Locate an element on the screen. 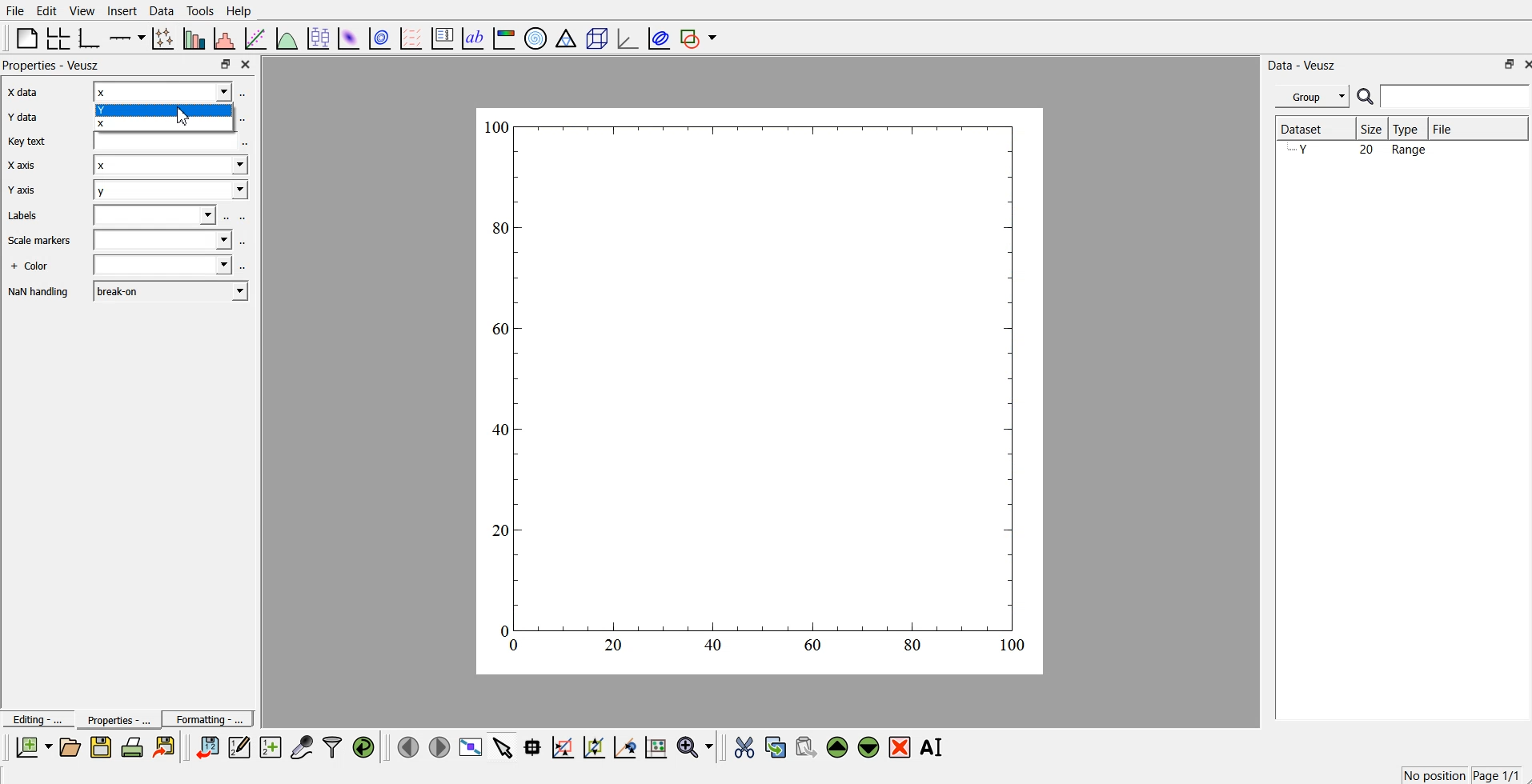  click to recentre graph axes is located at coordinates (626, 745).